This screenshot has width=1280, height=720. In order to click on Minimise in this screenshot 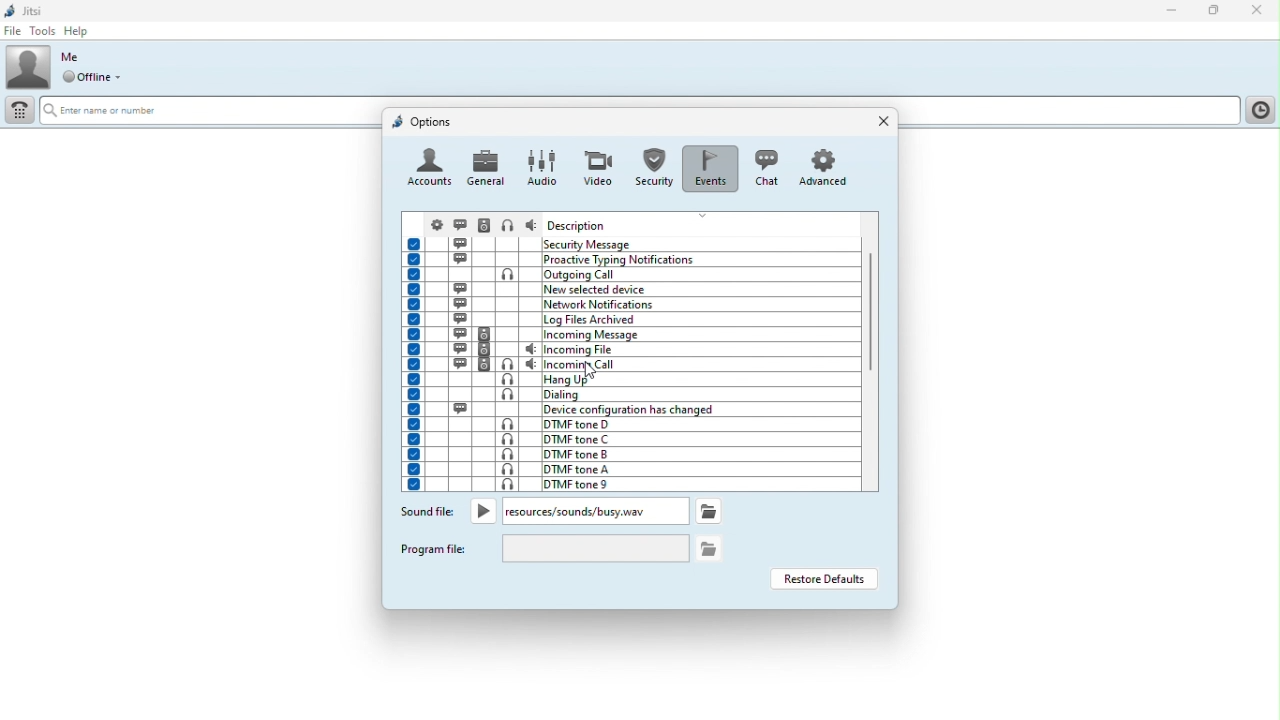, I will do `click(1176, 12)`.